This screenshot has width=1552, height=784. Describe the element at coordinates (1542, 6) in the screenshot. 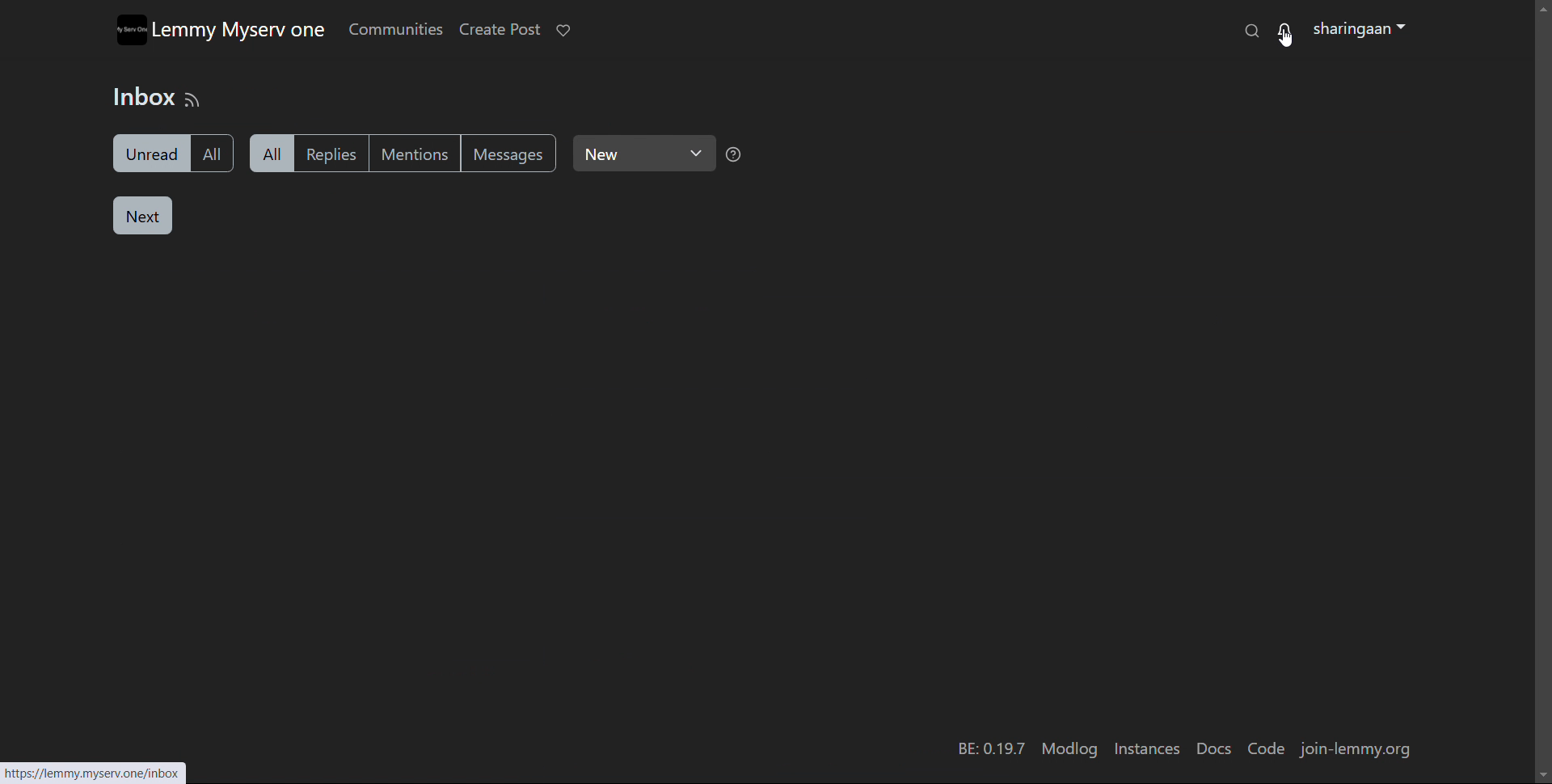

I see `scroll up` at that location.